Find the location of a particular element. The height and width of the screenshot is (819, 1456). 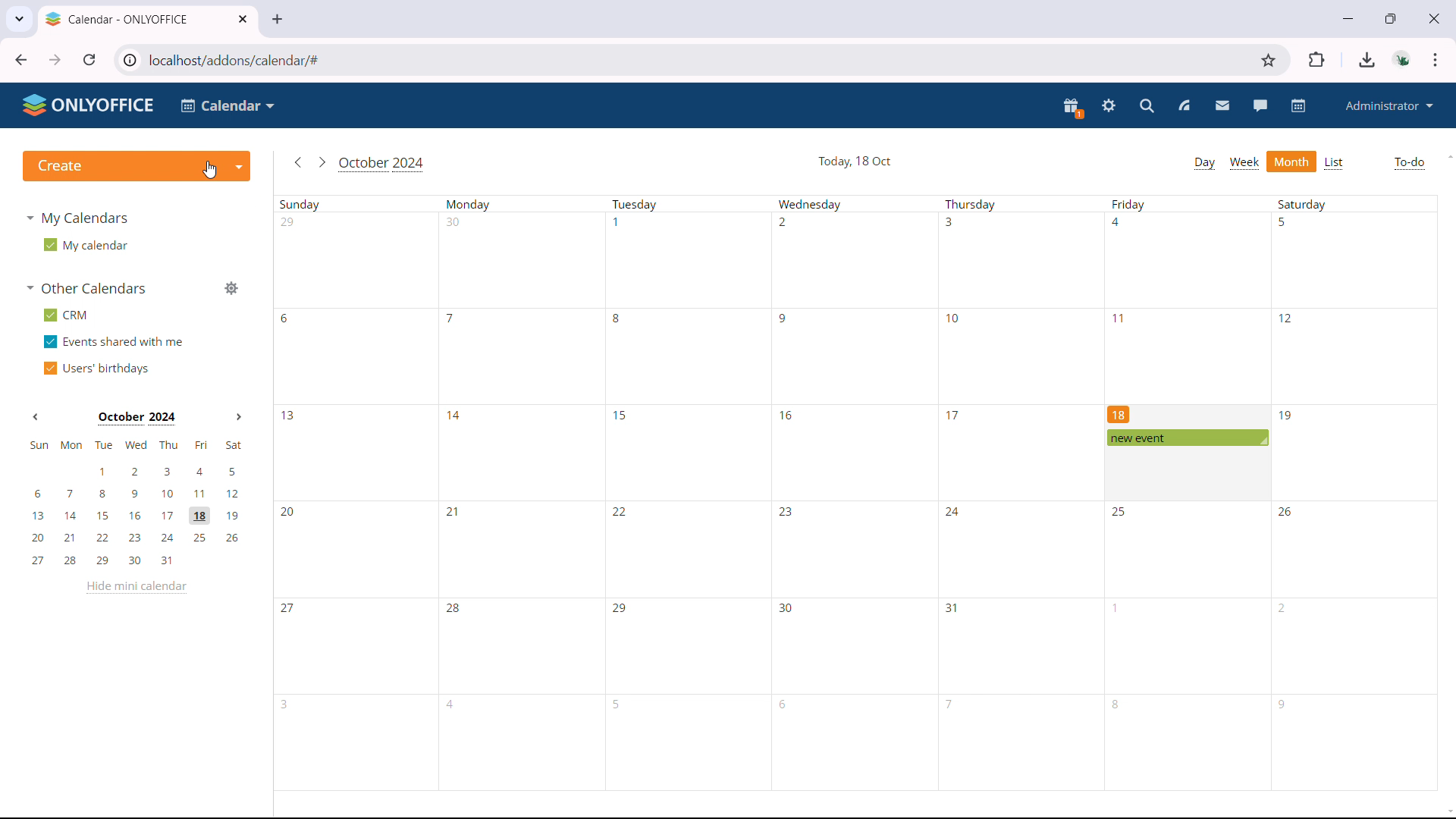

feed is located at coordinates (1183, 106).